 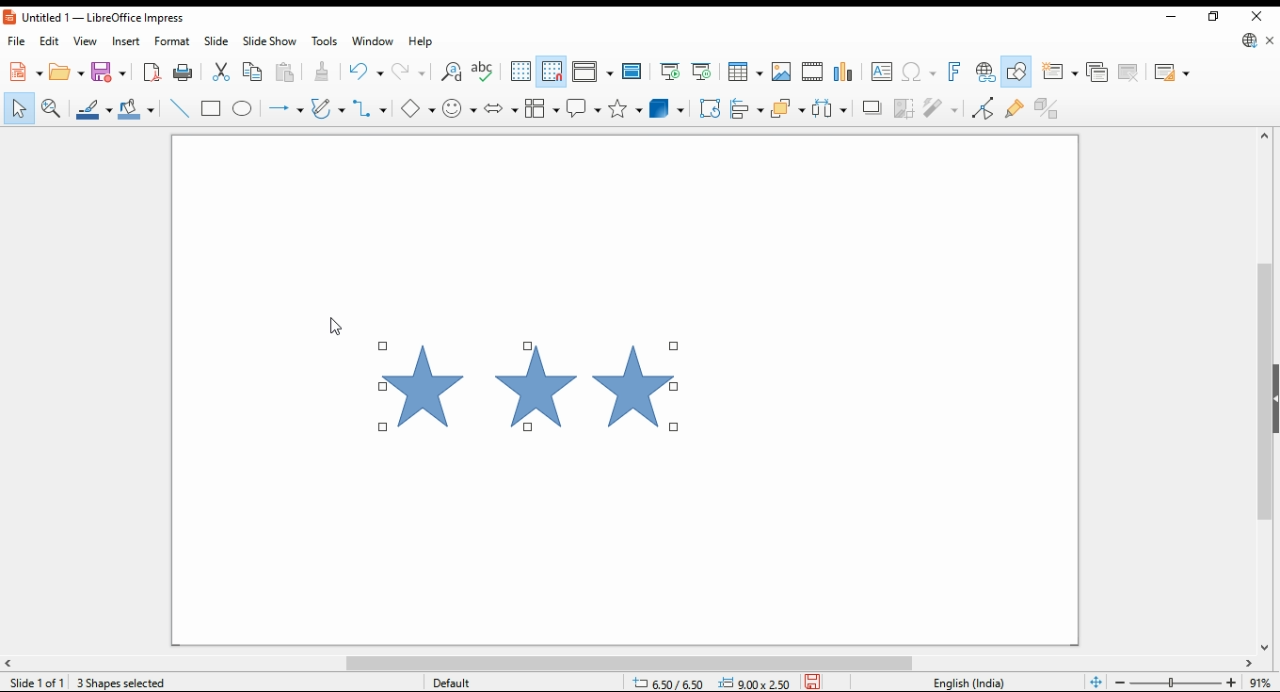 What do you see at coordinates (500, 107) in the screenshot?
I see `block arrows` at bounding box center [500, 107].